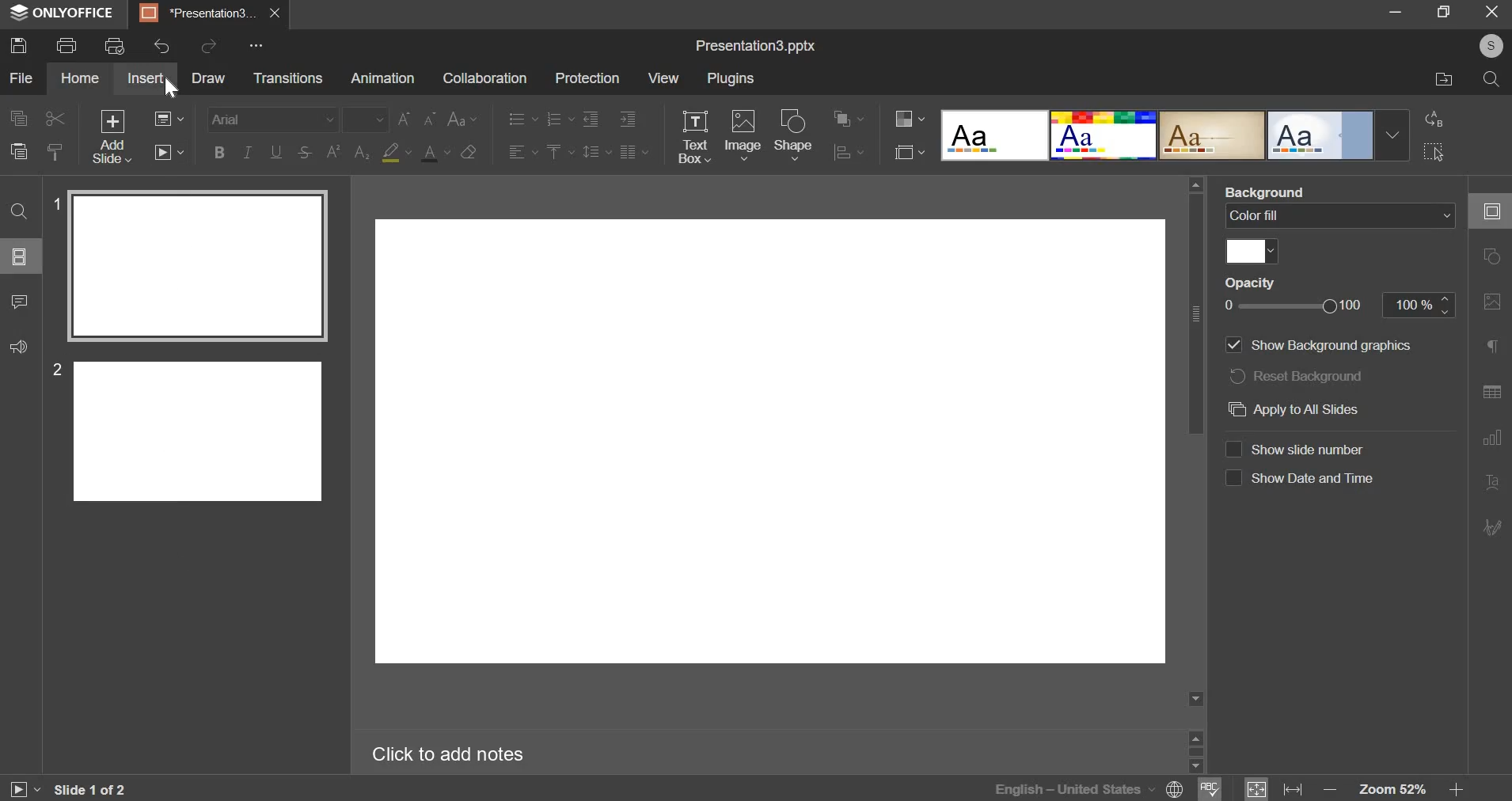 The height and width of the screenshot is (801, 1512). I want to click on background, so click(1266, 191).